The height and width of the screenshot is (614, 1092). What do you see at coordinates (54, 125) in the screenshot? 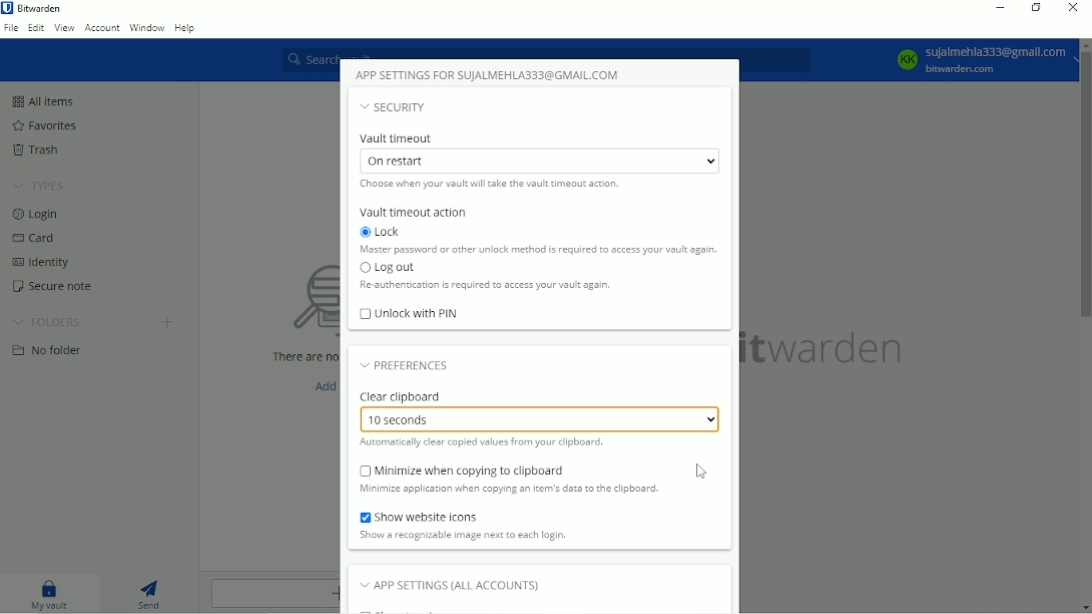
I see `Favorites` at bounding box center [54, 125].